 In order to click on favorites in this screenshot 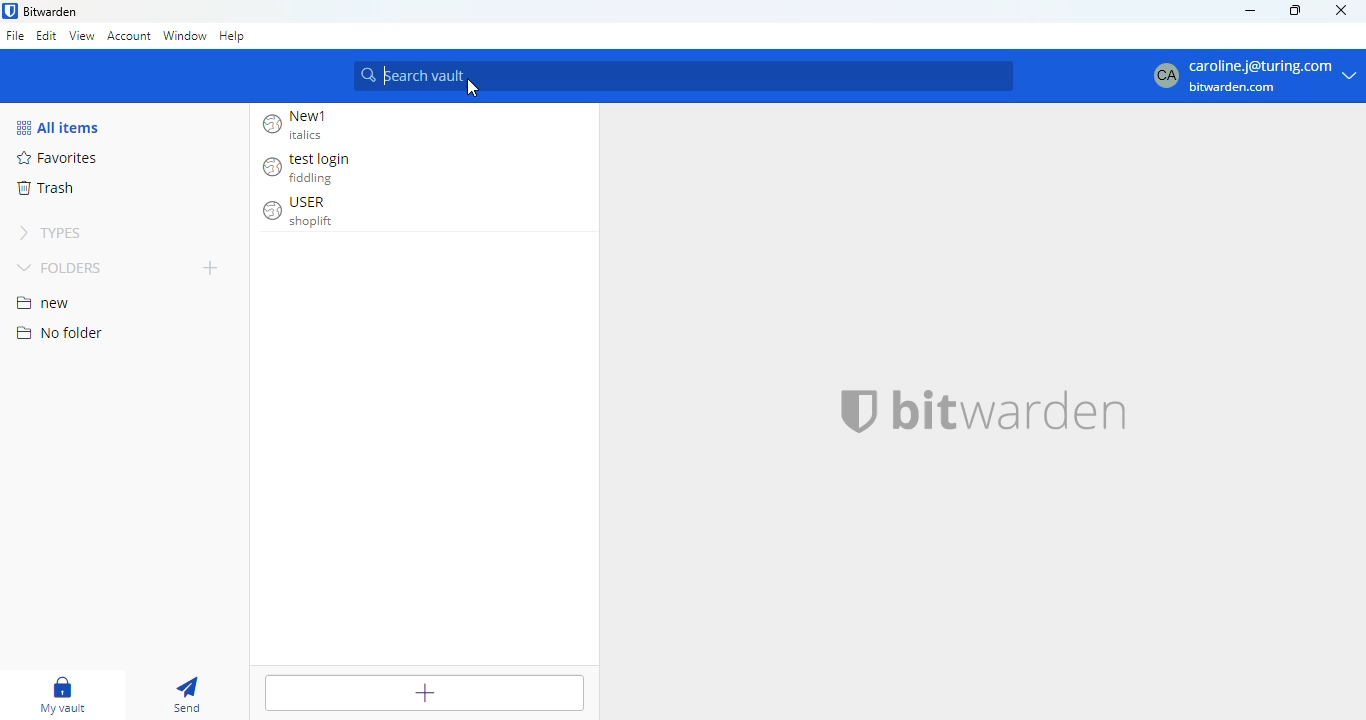, I will do `click(59, 157)`.